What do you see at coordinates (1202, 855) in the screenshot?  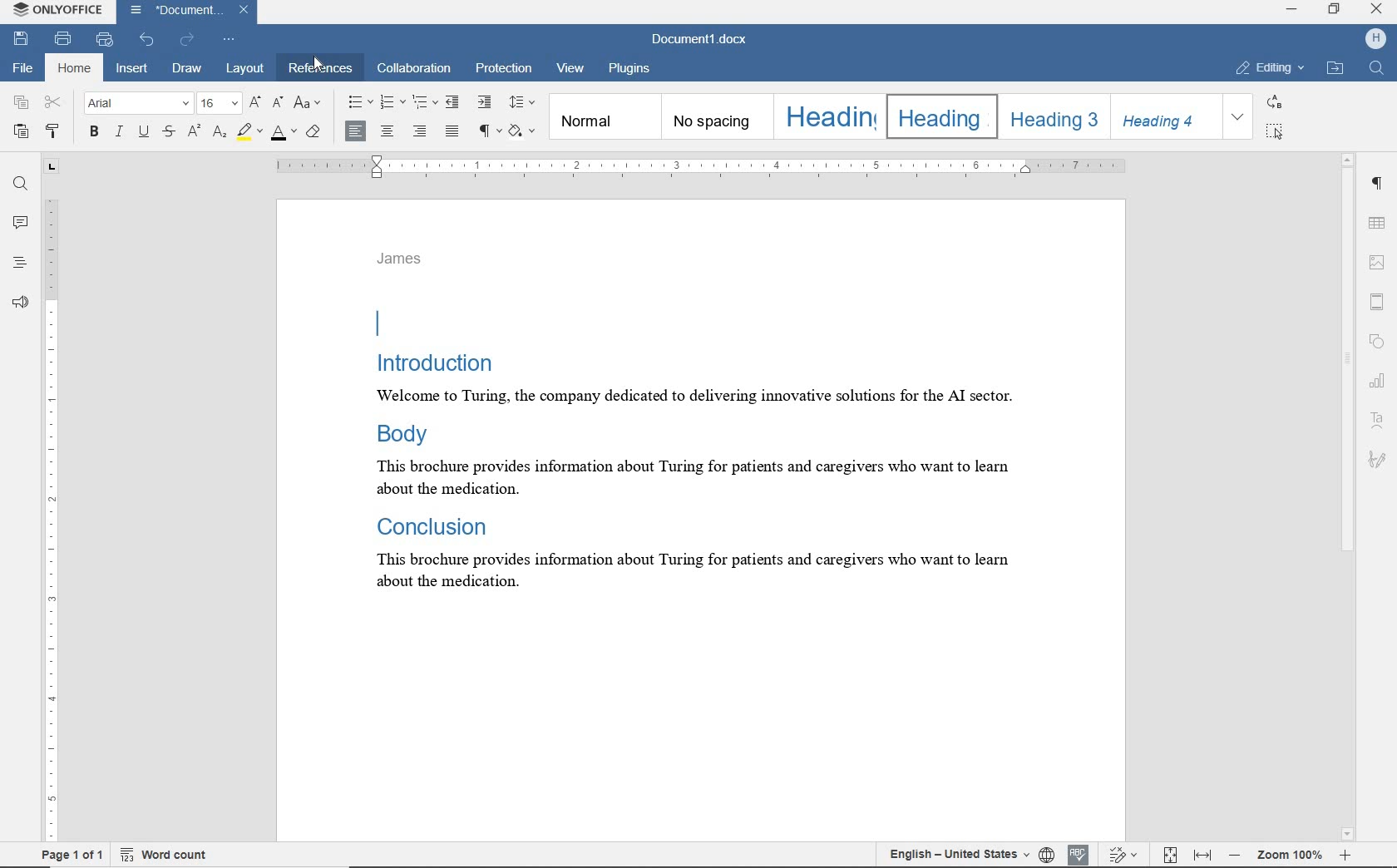 I see `fit to width` at bounding box center [1202, 855].